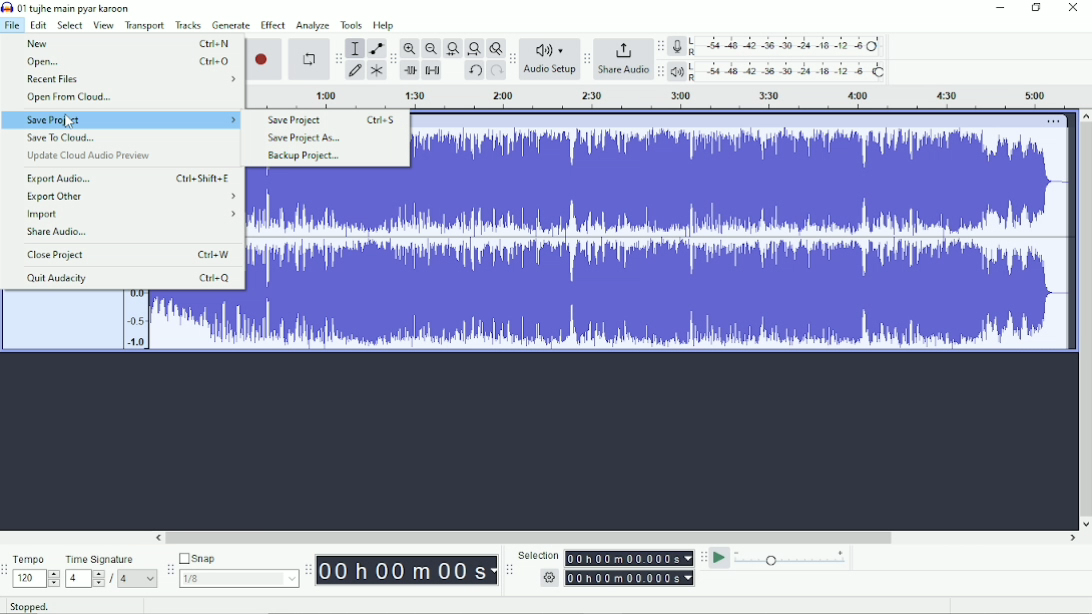 This screenshot has height=614, width=1092. I want to click on Edit, so click(38, 25).